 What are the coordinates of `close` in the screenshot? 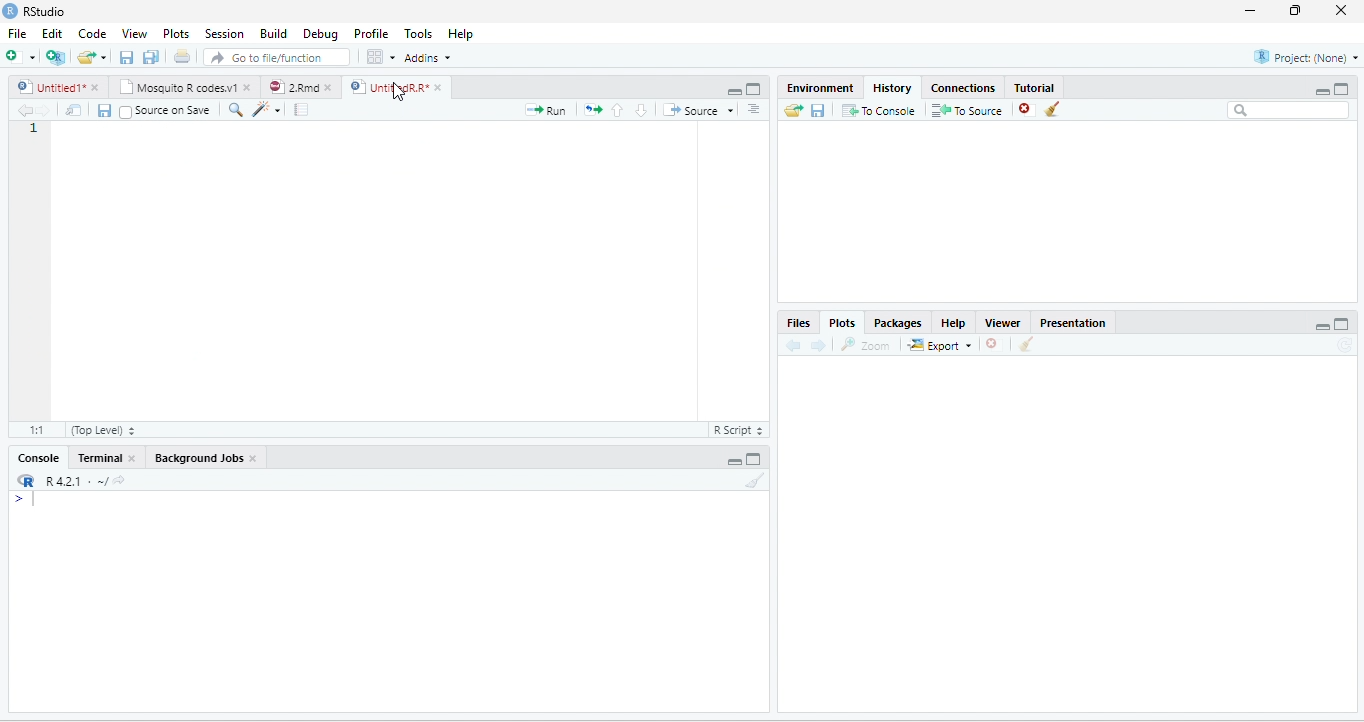 It's located at (1340, 11).